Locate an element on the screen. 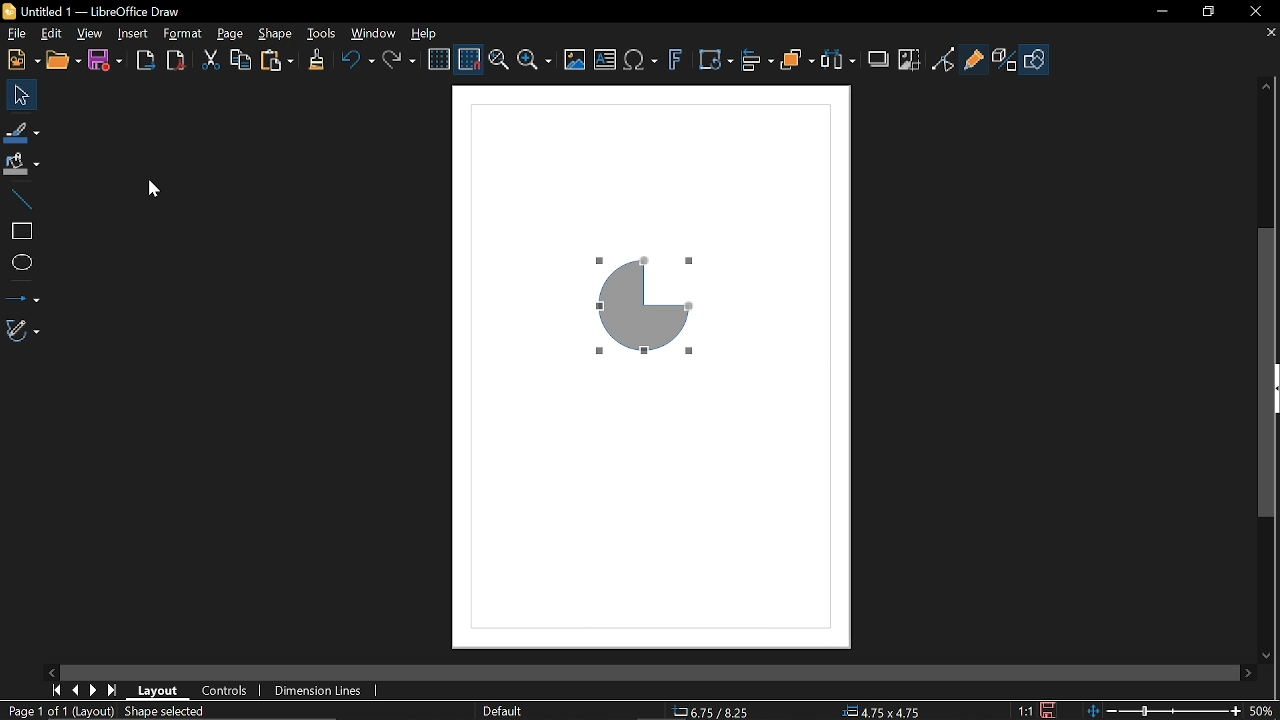 This screenshot has width=1280, height=720. Undo is located at coordinates (356, 62).